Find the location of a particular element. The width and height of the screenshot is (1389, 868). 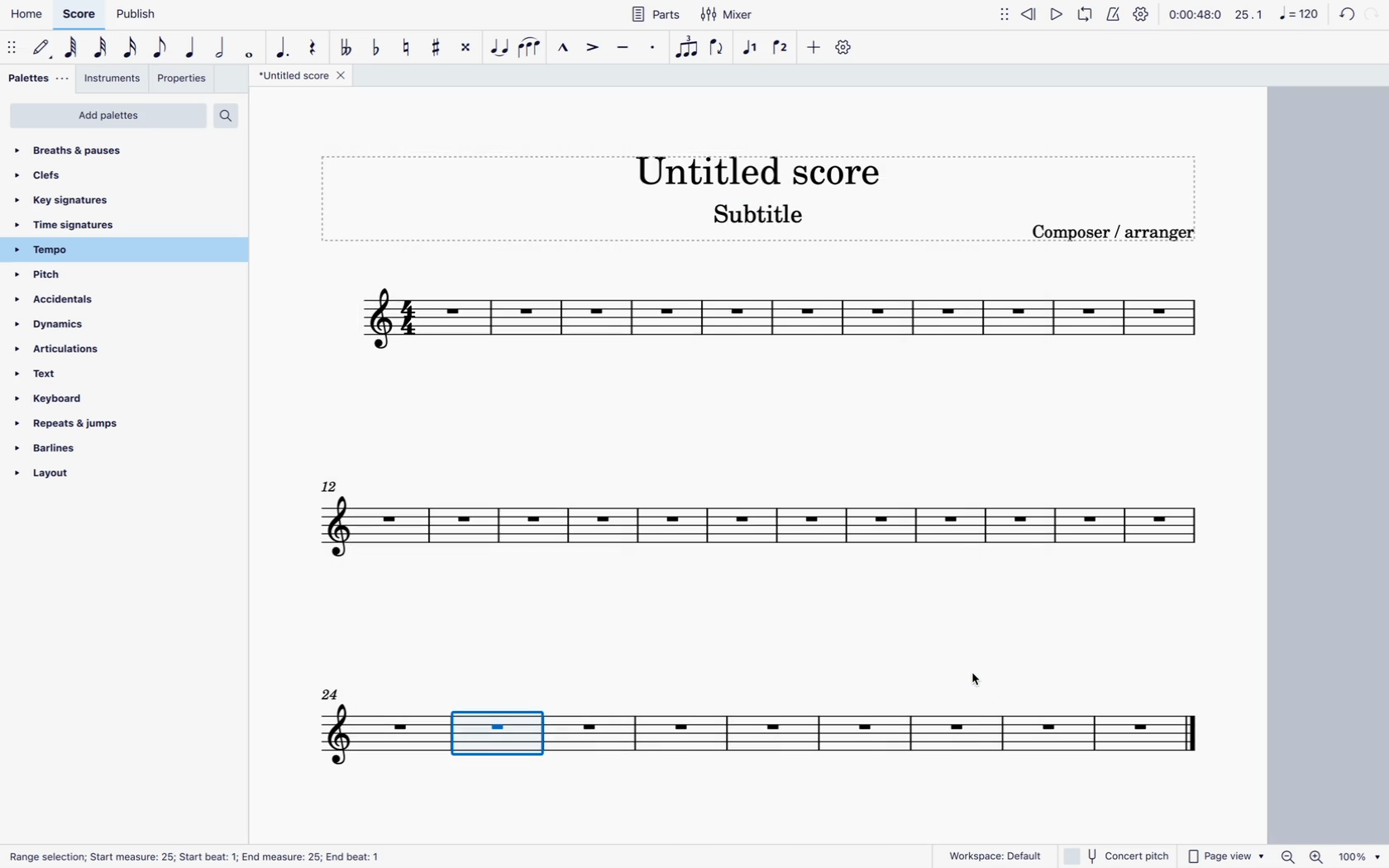

metronome is located at coordinates (1112, 17).